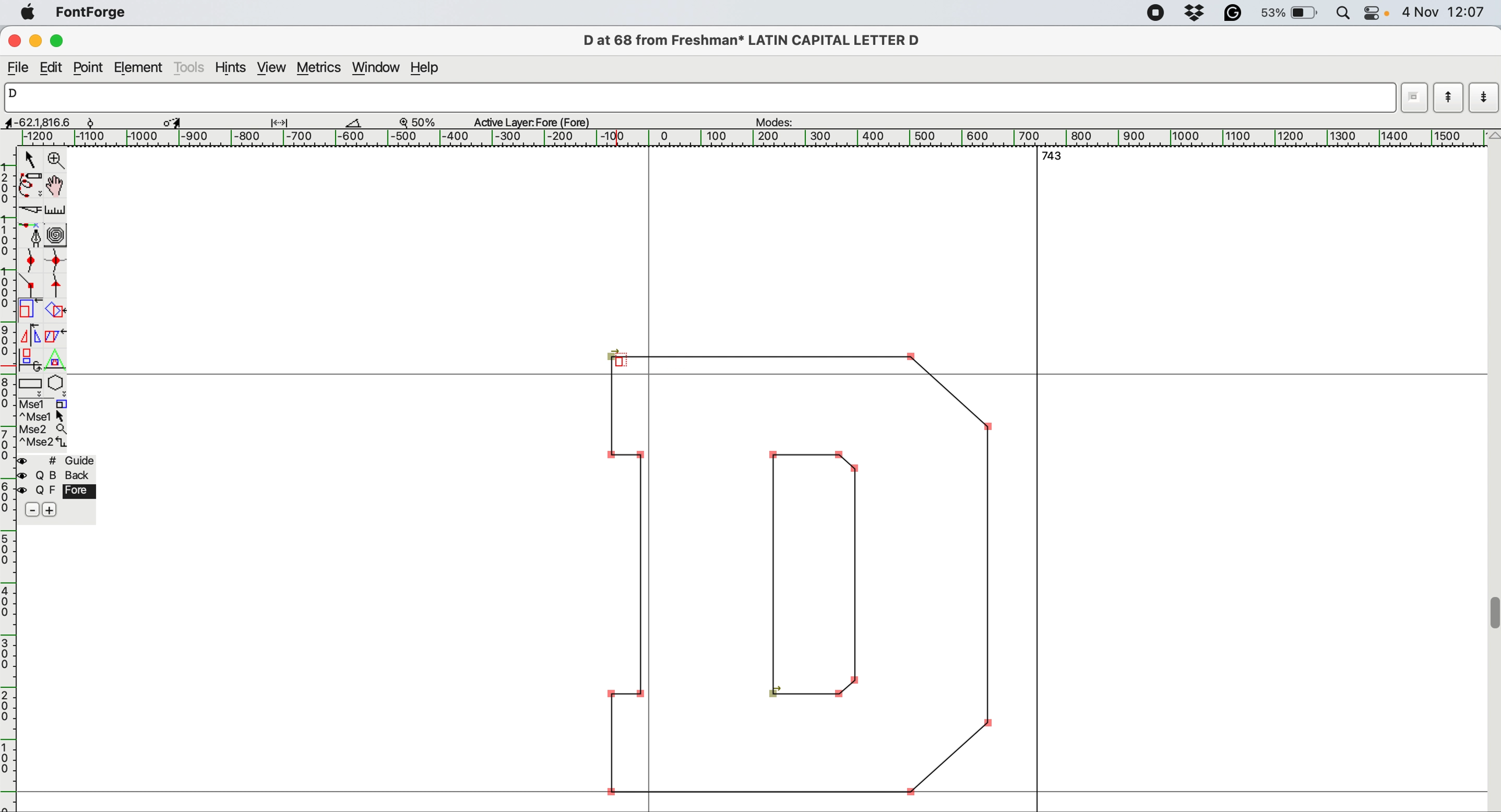 The image size is (1501, 812). Describe the element at coordinates (537, 123) in the screenshot. I see `active layer:Fore(Fore)` at that location.